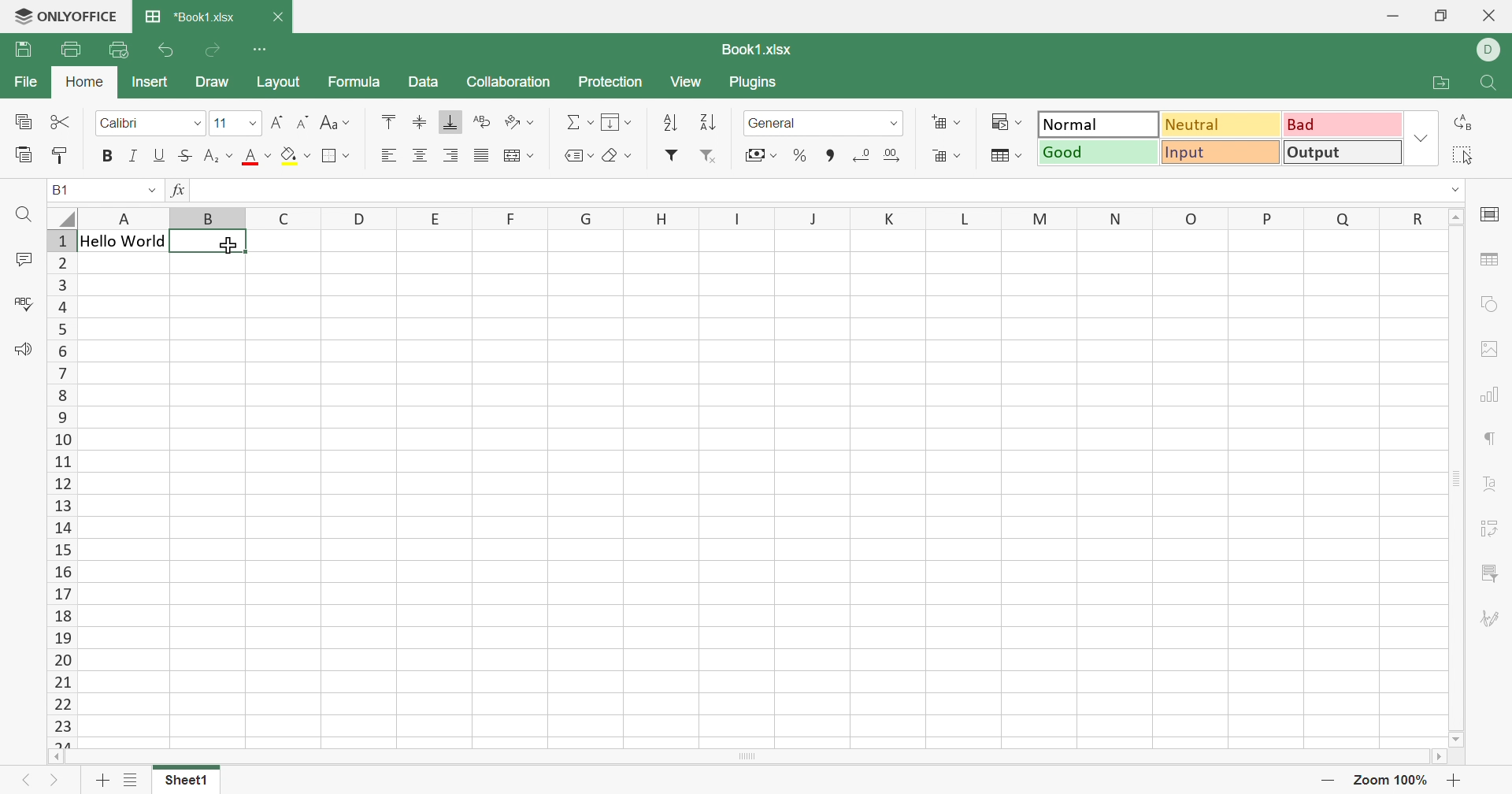  What do you see at coordinates (294, 154) in the screenshot?
I see `Fill color` at bounding box center [294, 154].